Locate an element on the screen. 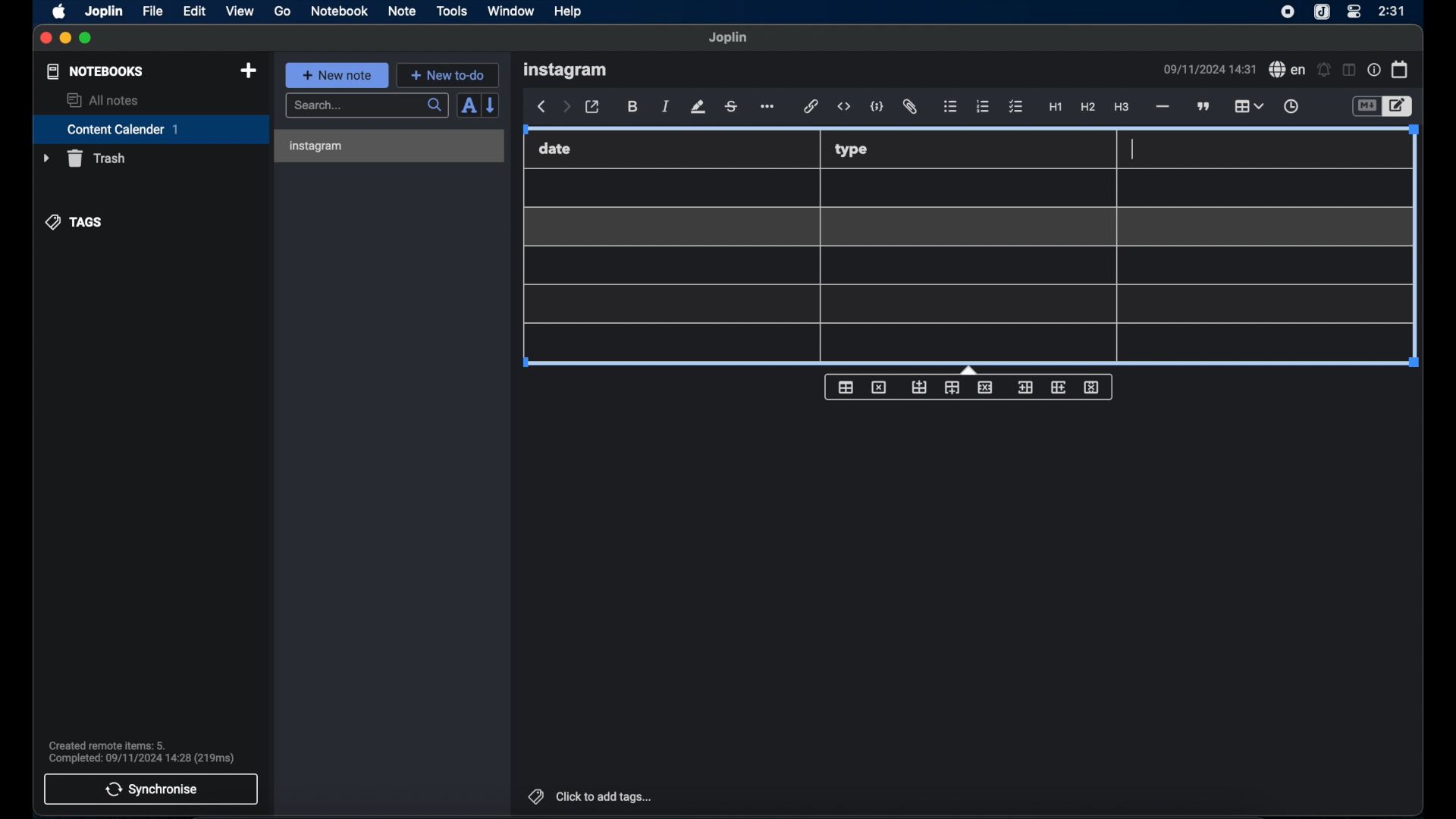 Image resolution: width=1456 pixels, height=819 pixels. window is located at coordinates (511, 11).